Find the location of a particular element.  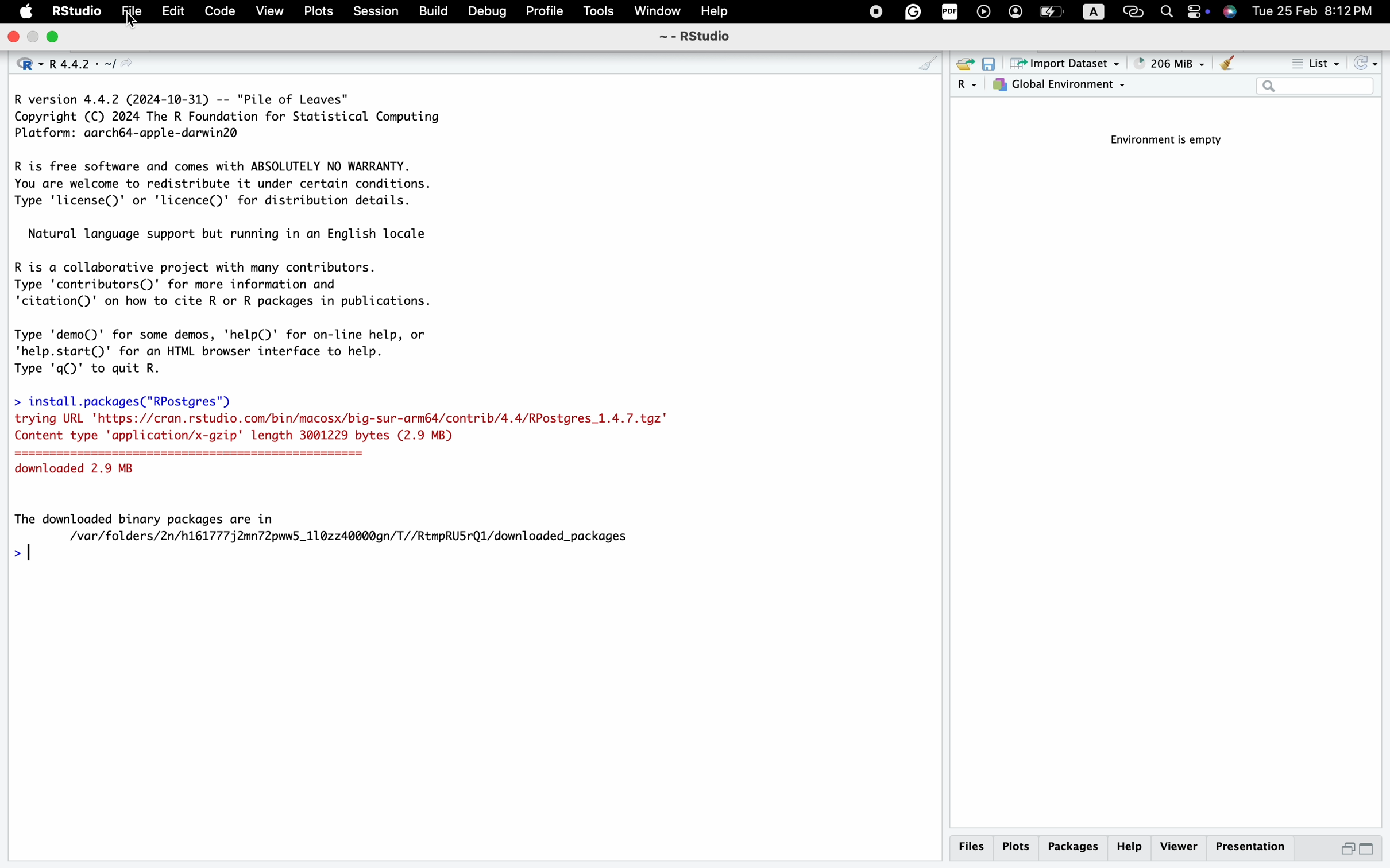

account is located at coordinates (1015, 13).